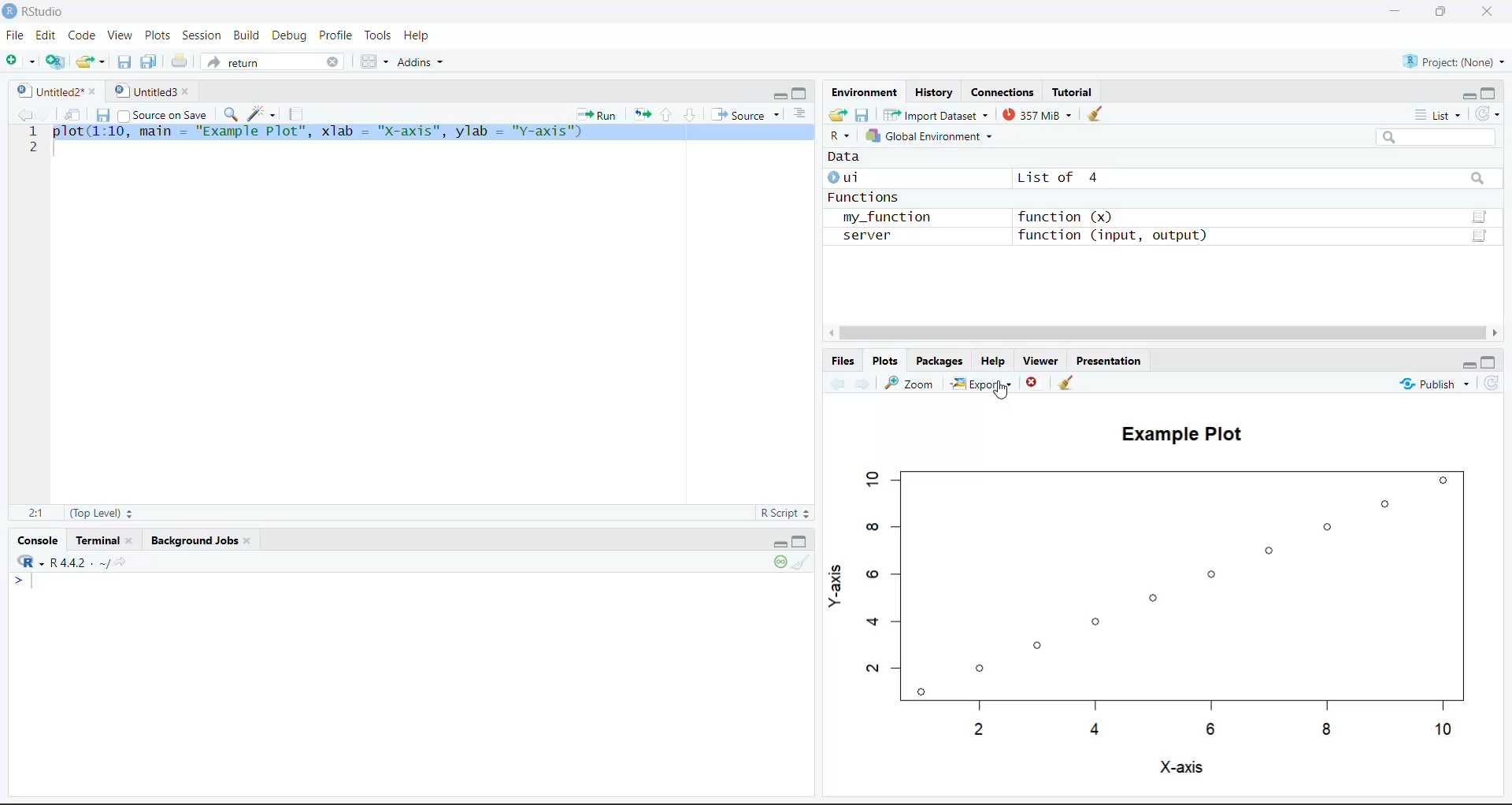 The width and height of the screenshot is (1512, 805). I want to click on Save all open documents (Ctrl + Alt + S), so click(150, 63).